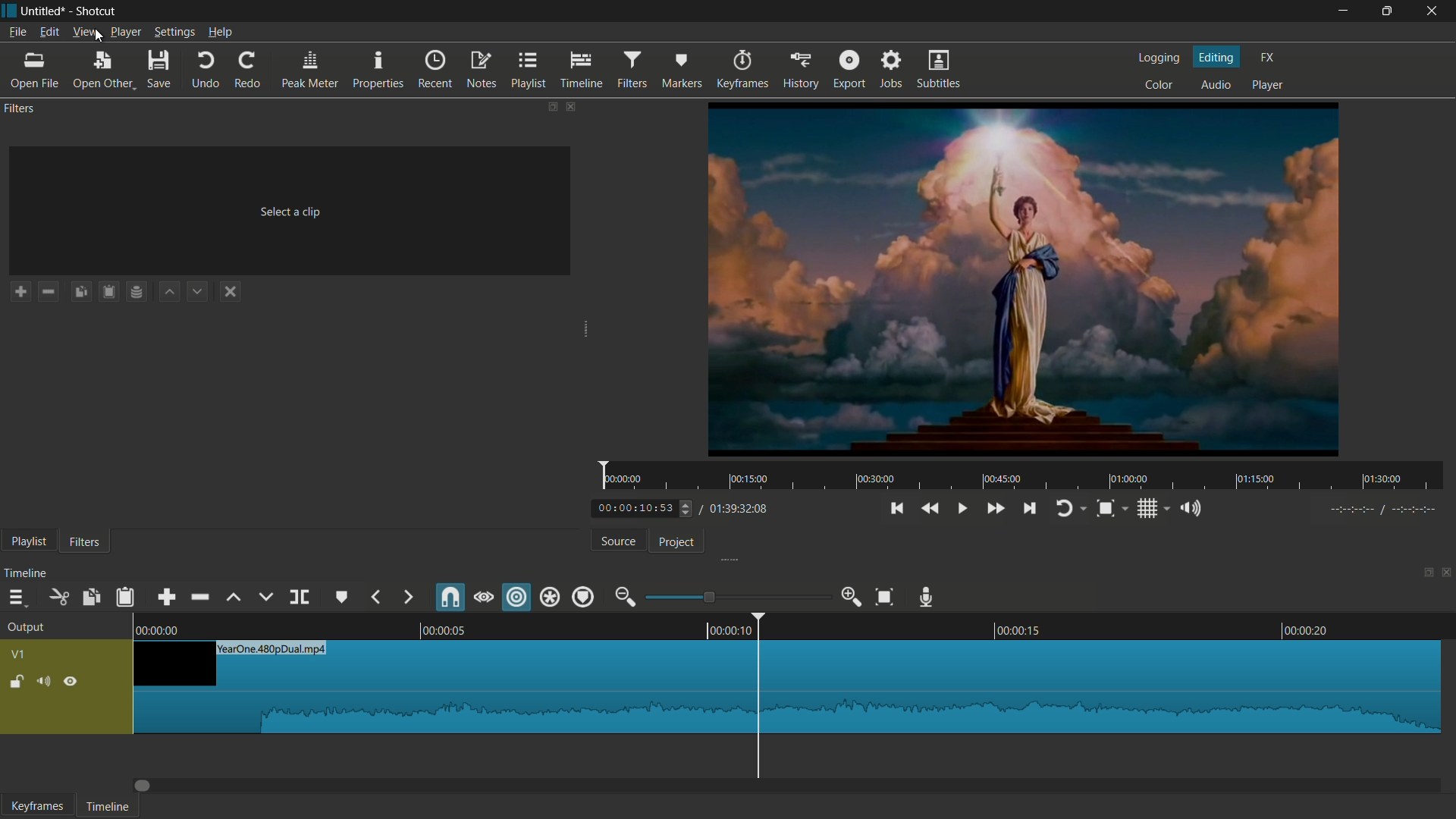 Image resolution: width=1456 pixels, height=819 pixels. I want to click on skip to the previous point, so click(896, 509).